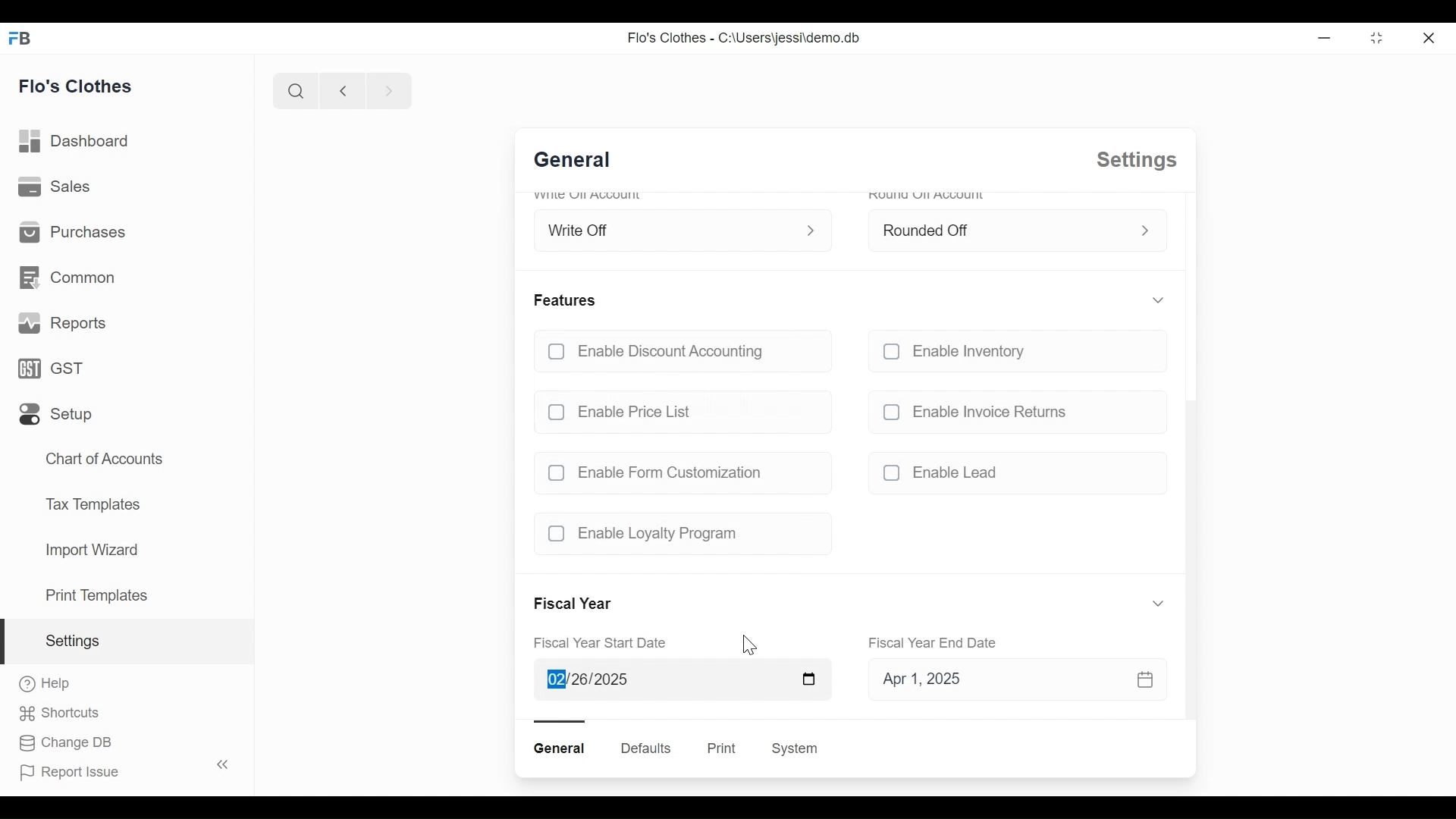  I want to click on Common, so click(70, 280).